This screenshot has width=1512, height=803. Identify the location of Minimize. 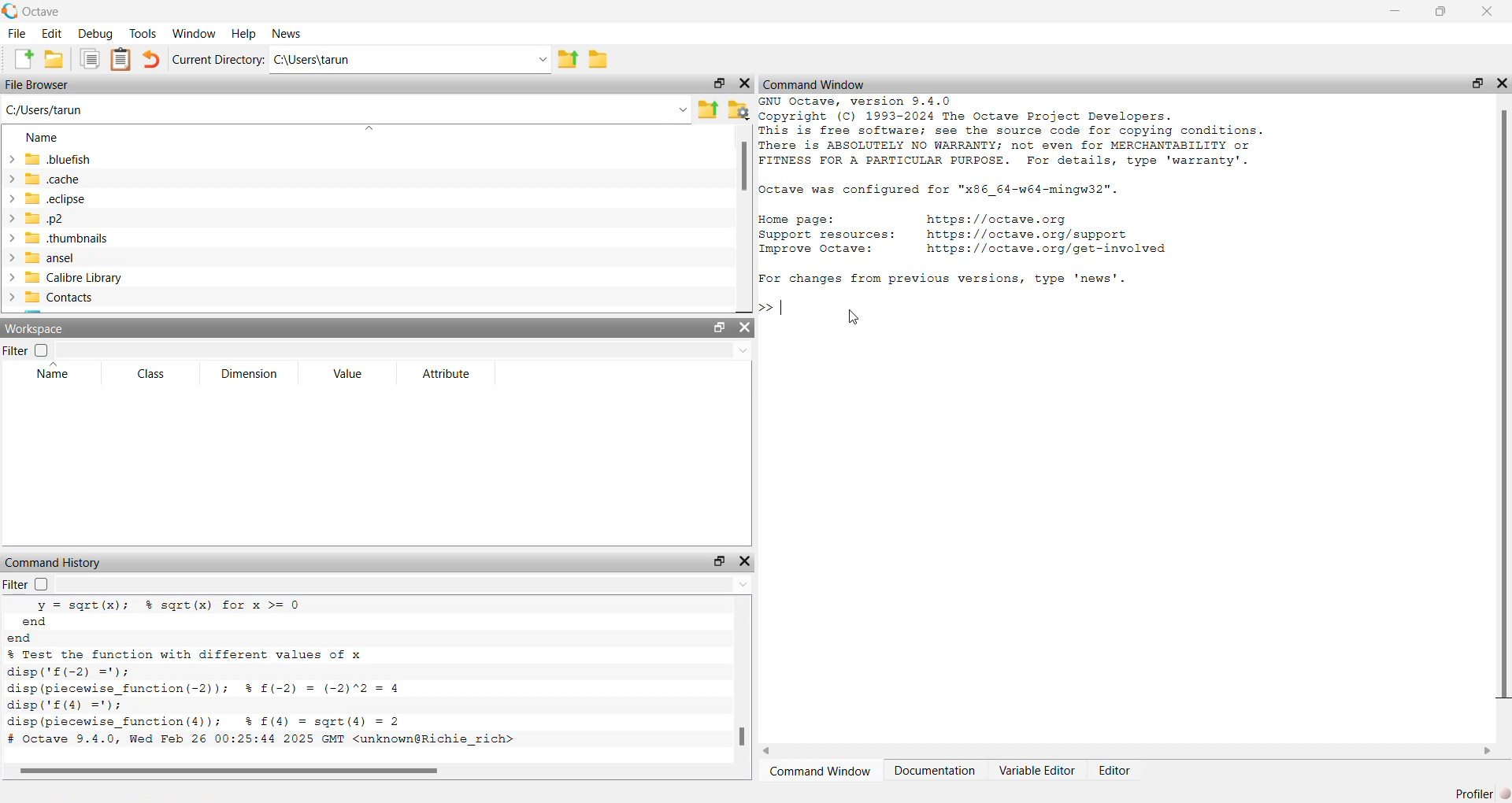
(1391, 11).